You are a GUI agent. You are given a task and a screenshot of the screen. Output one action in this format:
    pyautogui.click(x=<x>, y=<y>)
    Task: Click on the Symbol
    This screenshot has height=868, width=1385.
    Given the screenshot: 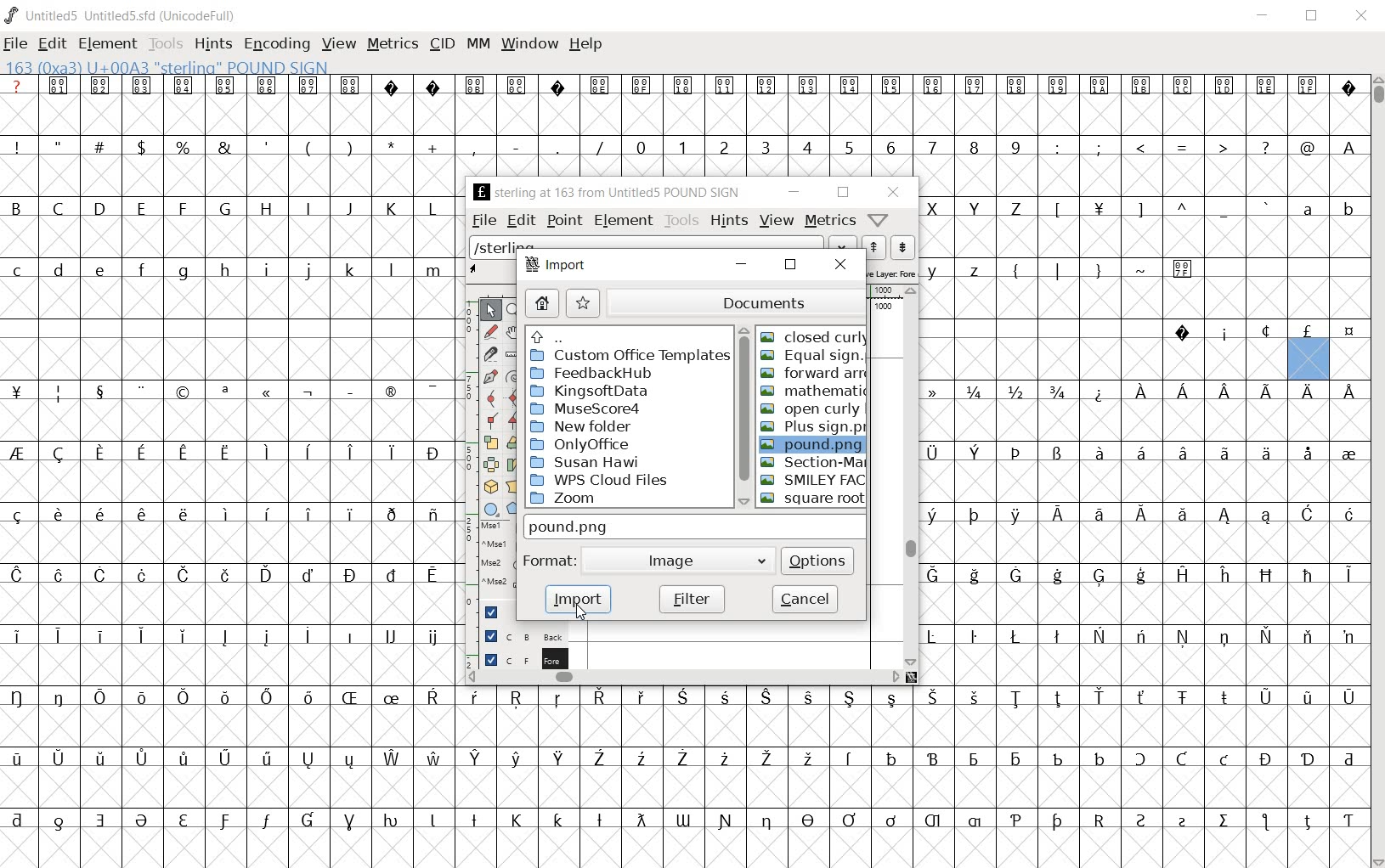 What is the action you would take?
    pyautogui.click(x=1348, y=758)
    